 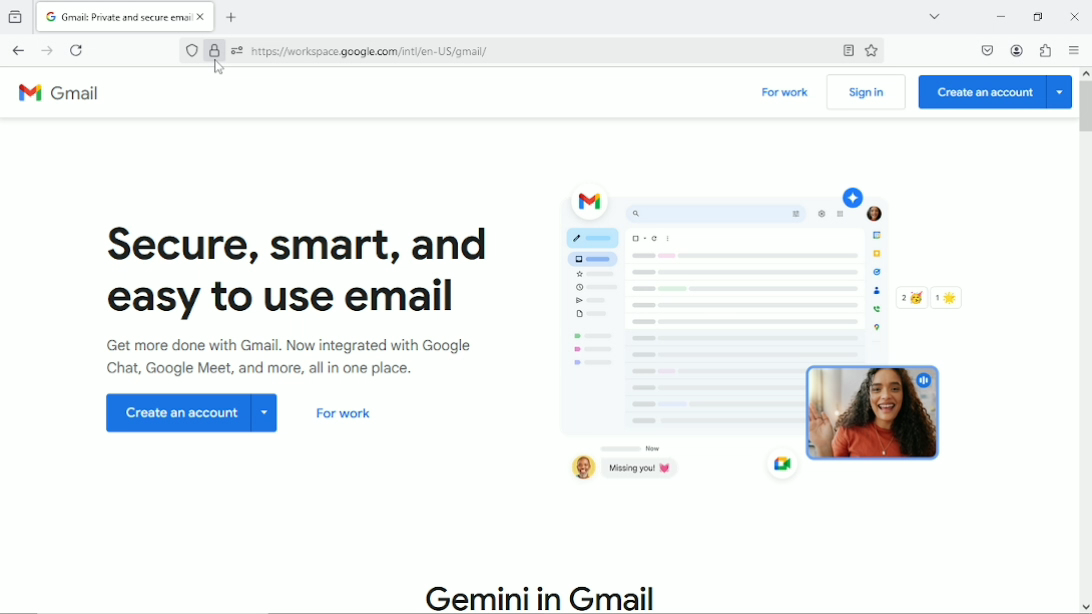 What do you see at coordinates (19, 49) in the screenshot?
I see `Go back` at bounding box center [19, 49].